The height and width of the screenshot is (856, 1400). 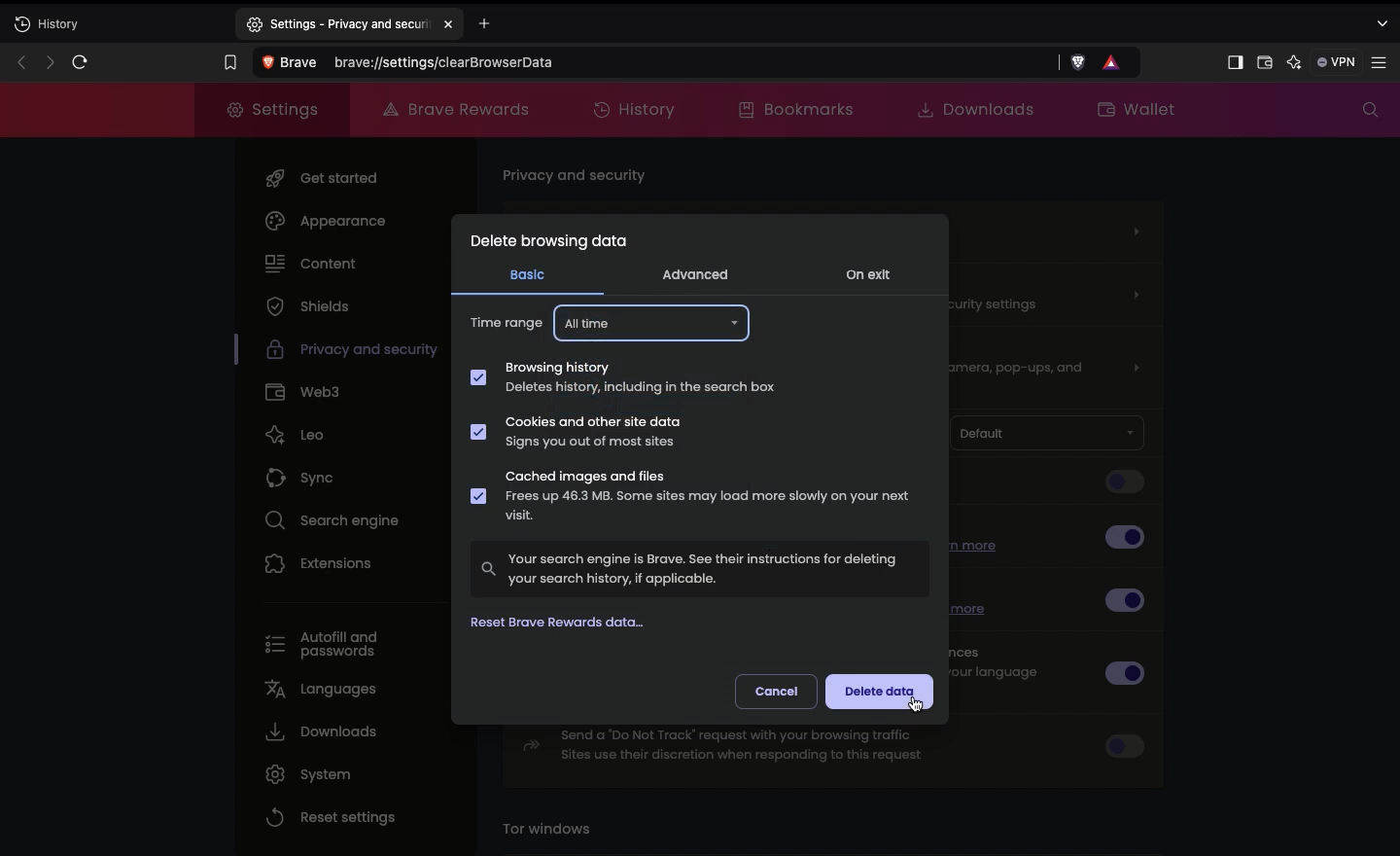 What do you see at coordinates (454, 108) in the screenshot?
I see `Brave rewards` at bounding box center [454, 108].